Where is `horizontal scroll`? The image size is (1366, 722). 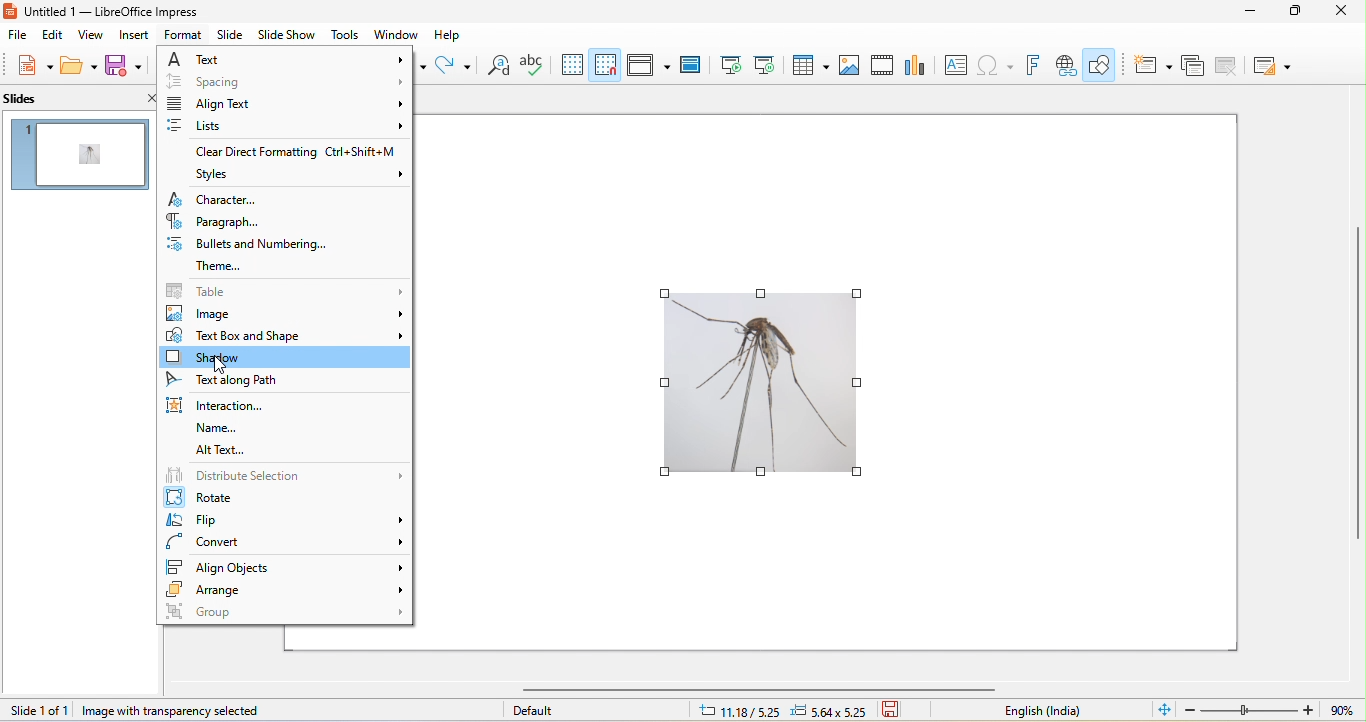 horizontal scroll is located at coordinates (788, 690).